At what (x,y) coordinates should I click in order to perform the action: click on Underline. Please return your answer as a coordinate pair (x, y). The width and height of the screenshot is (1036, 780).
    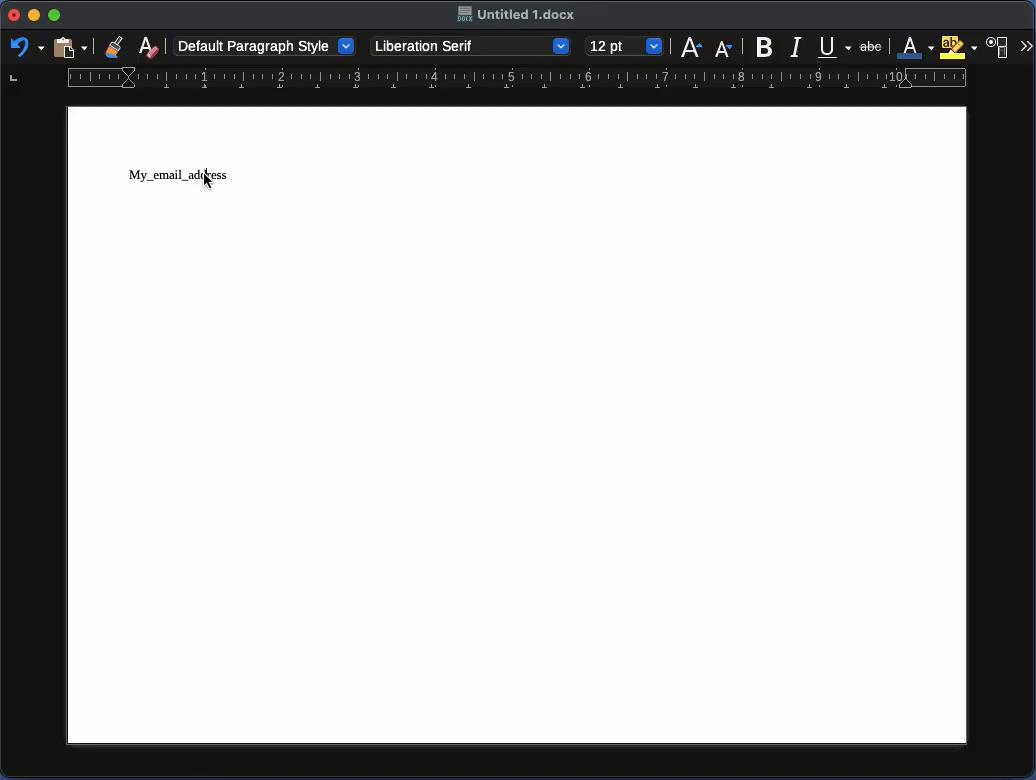
    Looking at the image, I should click on (833, 45).